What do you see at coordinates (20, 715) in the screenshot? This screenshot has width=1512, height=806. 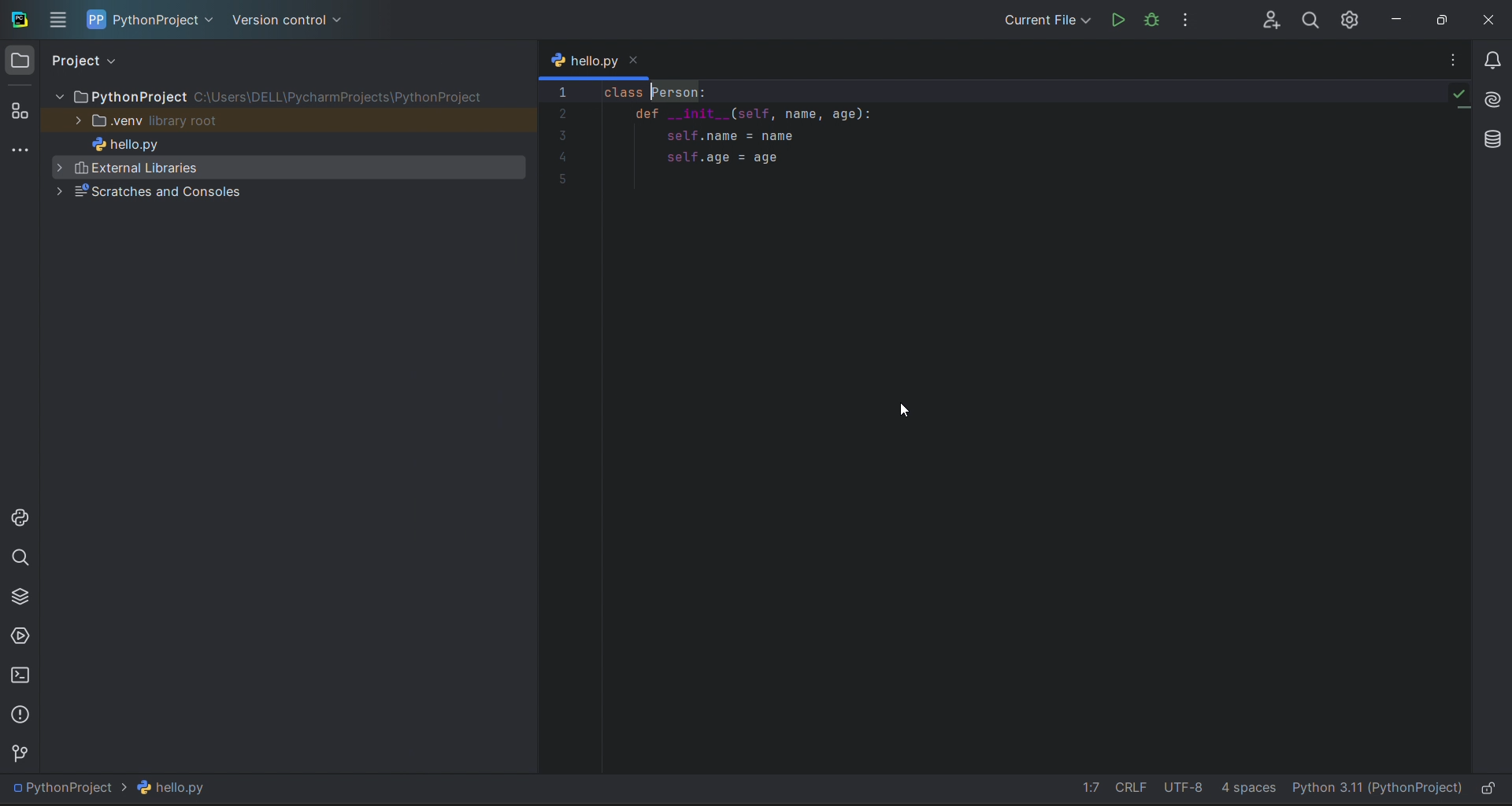 I see `problems` at bounding box center [20, 715].